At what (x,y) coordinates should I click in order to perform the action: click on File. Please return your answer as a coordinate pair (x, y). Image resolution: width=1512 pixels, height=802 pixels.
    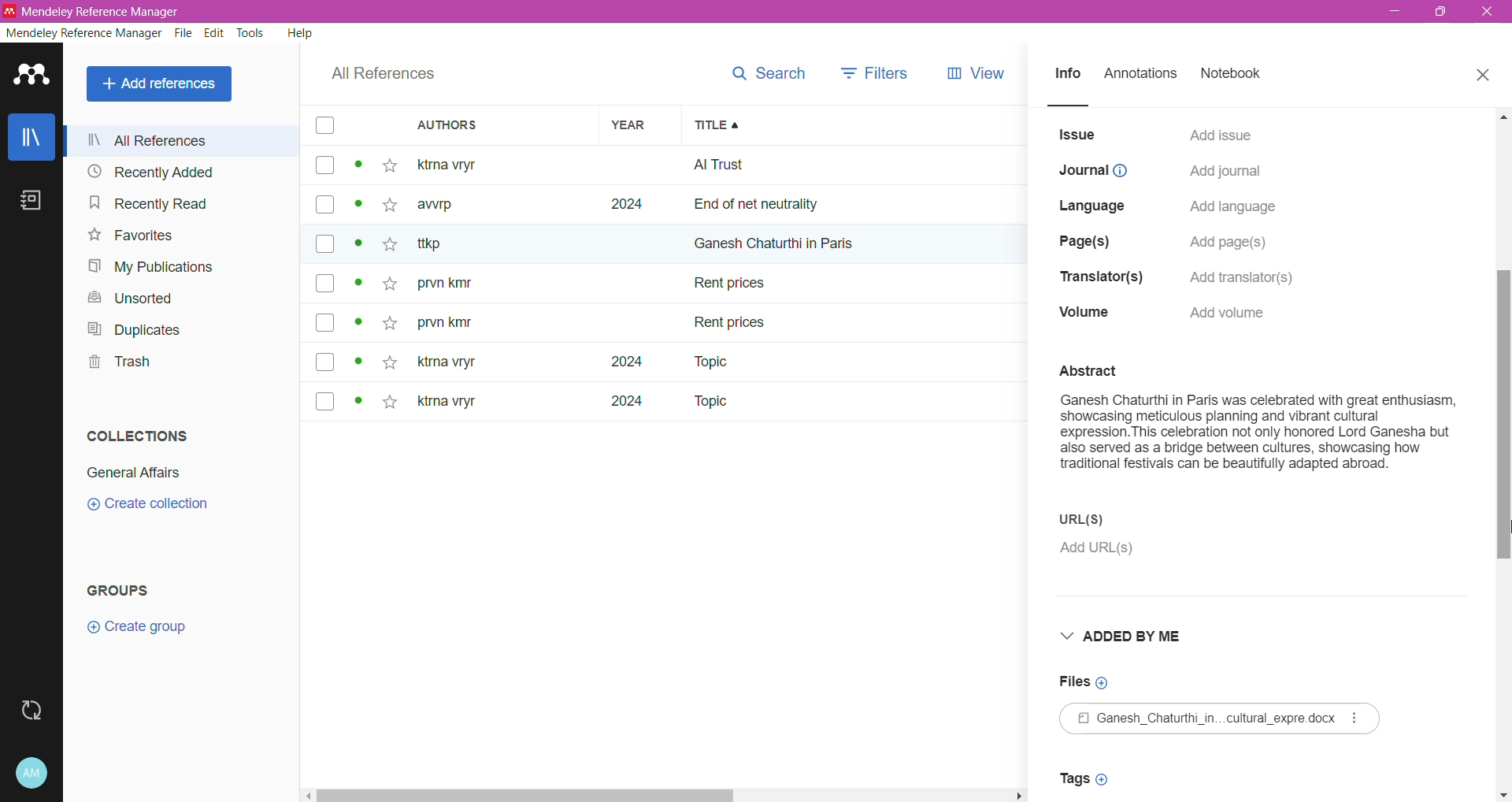
    Looking at the image, I should click on (1224, 719).